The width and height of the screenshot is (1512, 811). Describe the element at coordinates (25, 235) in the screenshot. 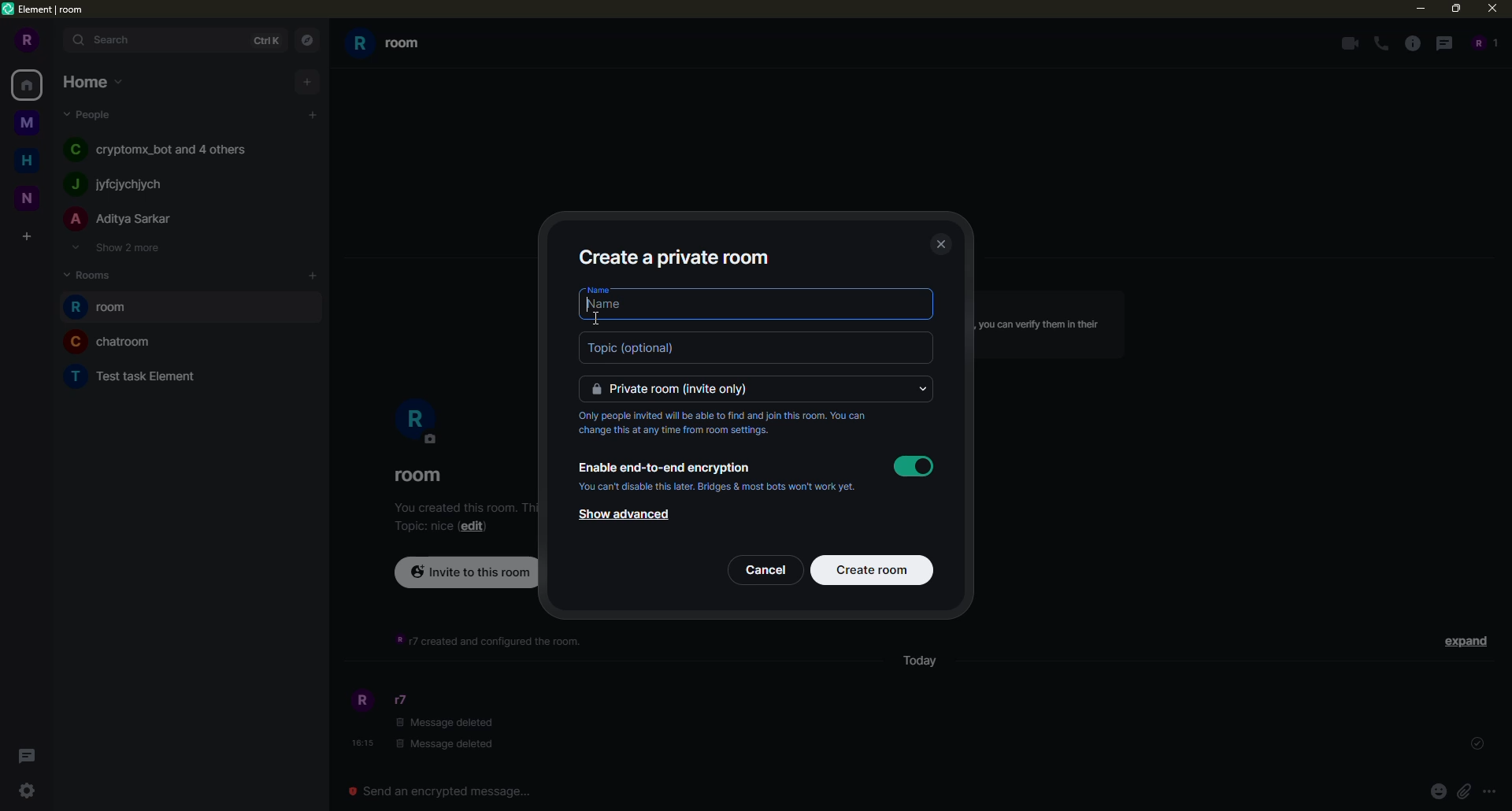

I see `create space` at that location.